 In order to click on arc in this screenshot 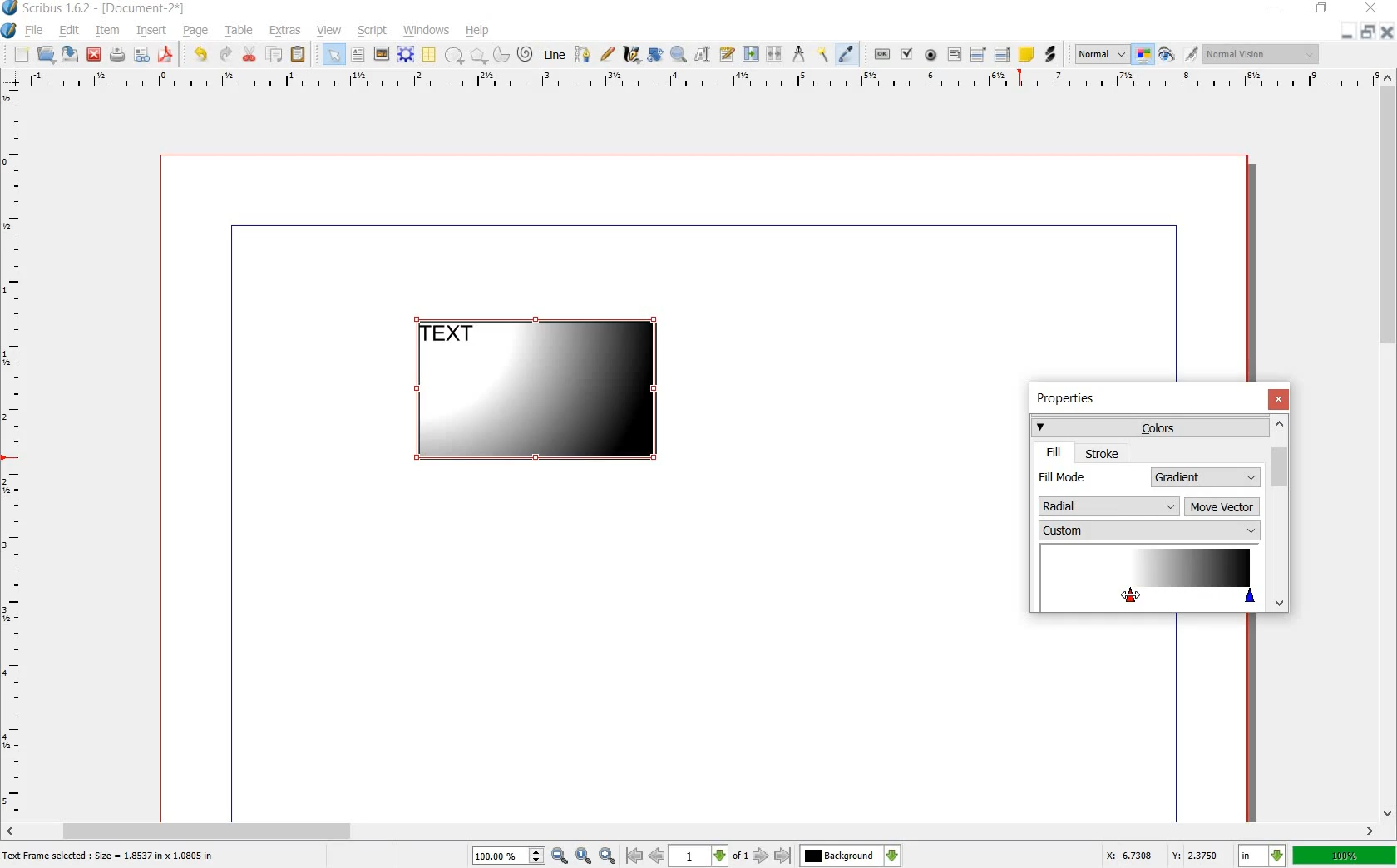, I will do `click(500, 53)`.